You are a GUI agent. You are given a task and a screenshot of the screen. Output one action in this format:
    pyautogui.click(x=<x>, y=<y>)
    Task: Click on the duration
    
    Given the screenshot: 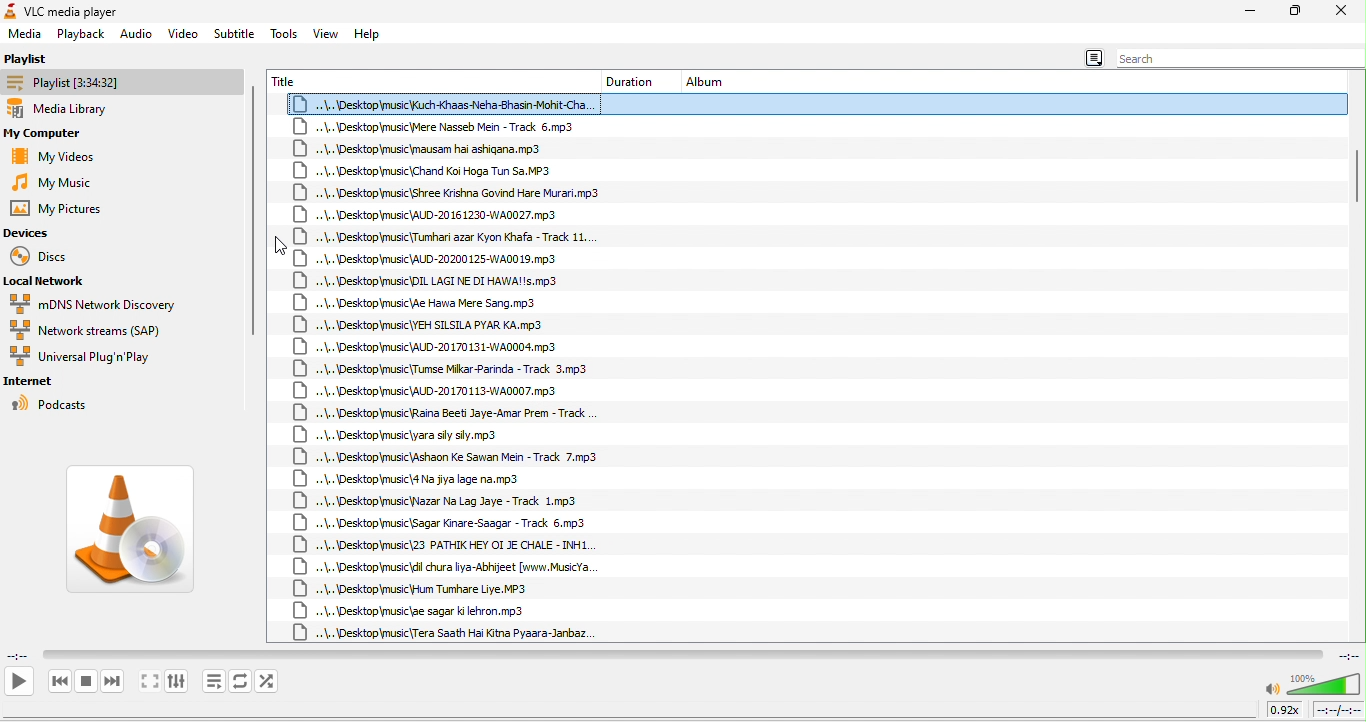 What is the action you would take?
    pyautogui.click(x=635, y=80)
    